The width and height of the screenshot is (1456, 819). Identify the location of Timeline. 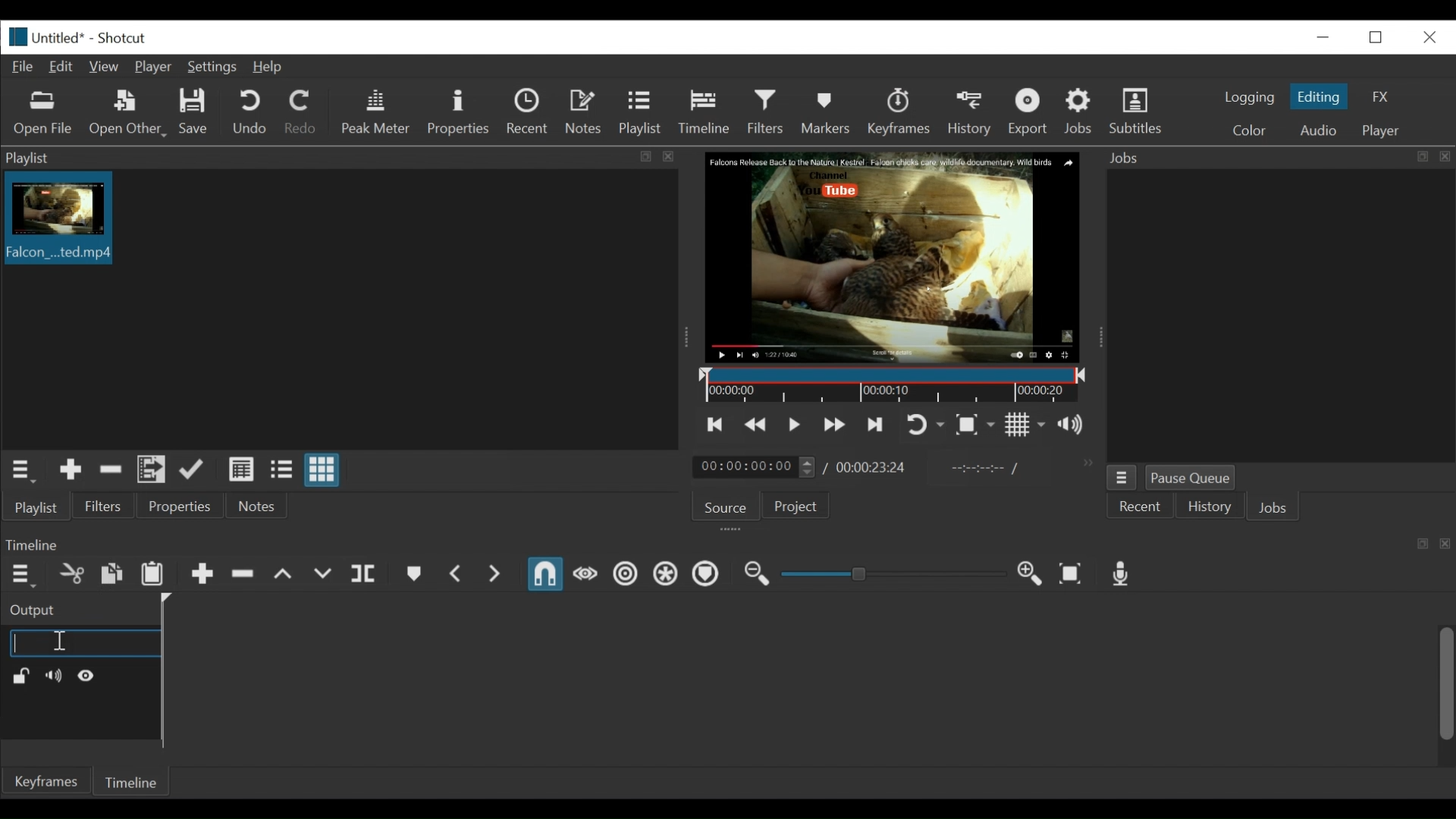
(708, 113).